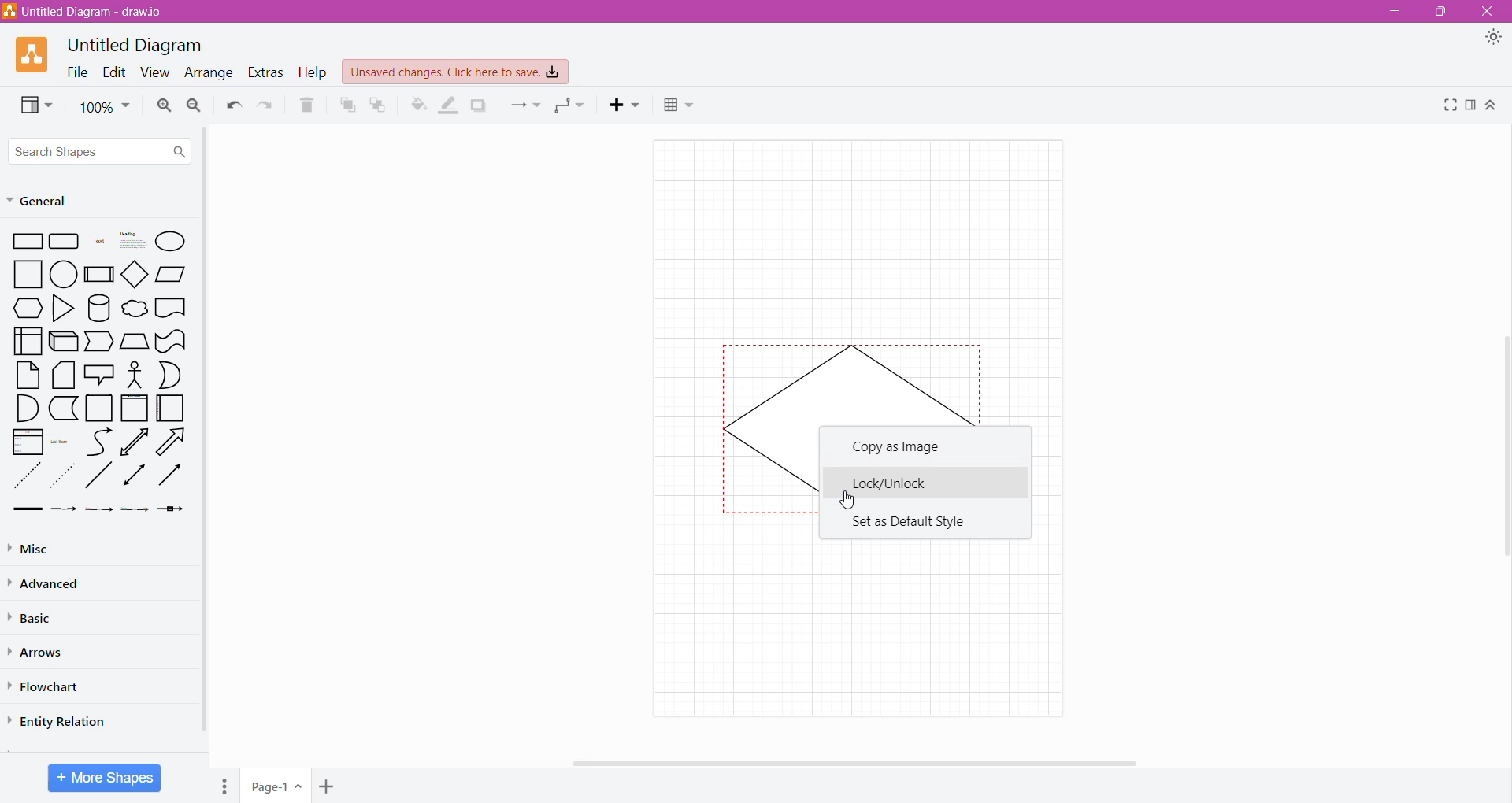 Image resolution: width=1512 pixels, height=803 pixels. I want to click on Data Storage, so click(65, 408).